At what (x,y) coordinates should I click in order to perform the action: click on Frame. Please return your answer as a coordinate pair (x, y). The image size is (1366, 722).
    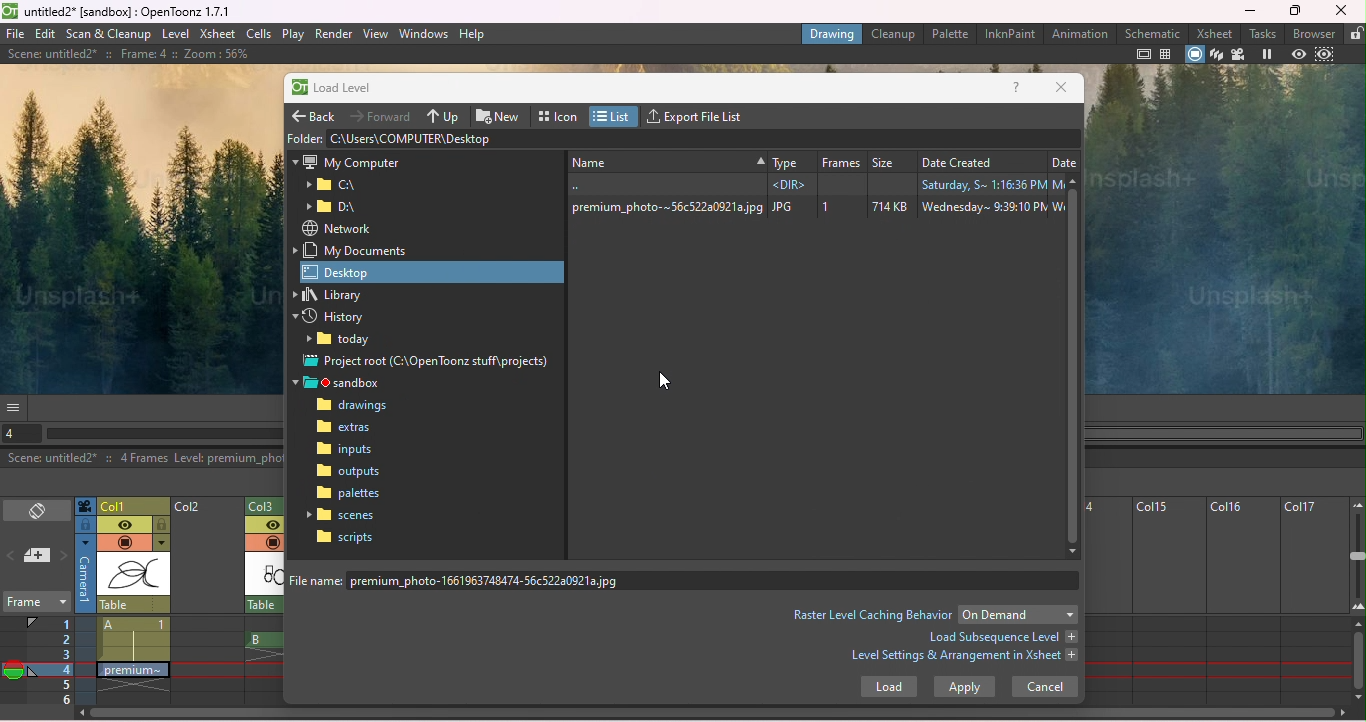
    Looking at the image, I should click on (35, 604).